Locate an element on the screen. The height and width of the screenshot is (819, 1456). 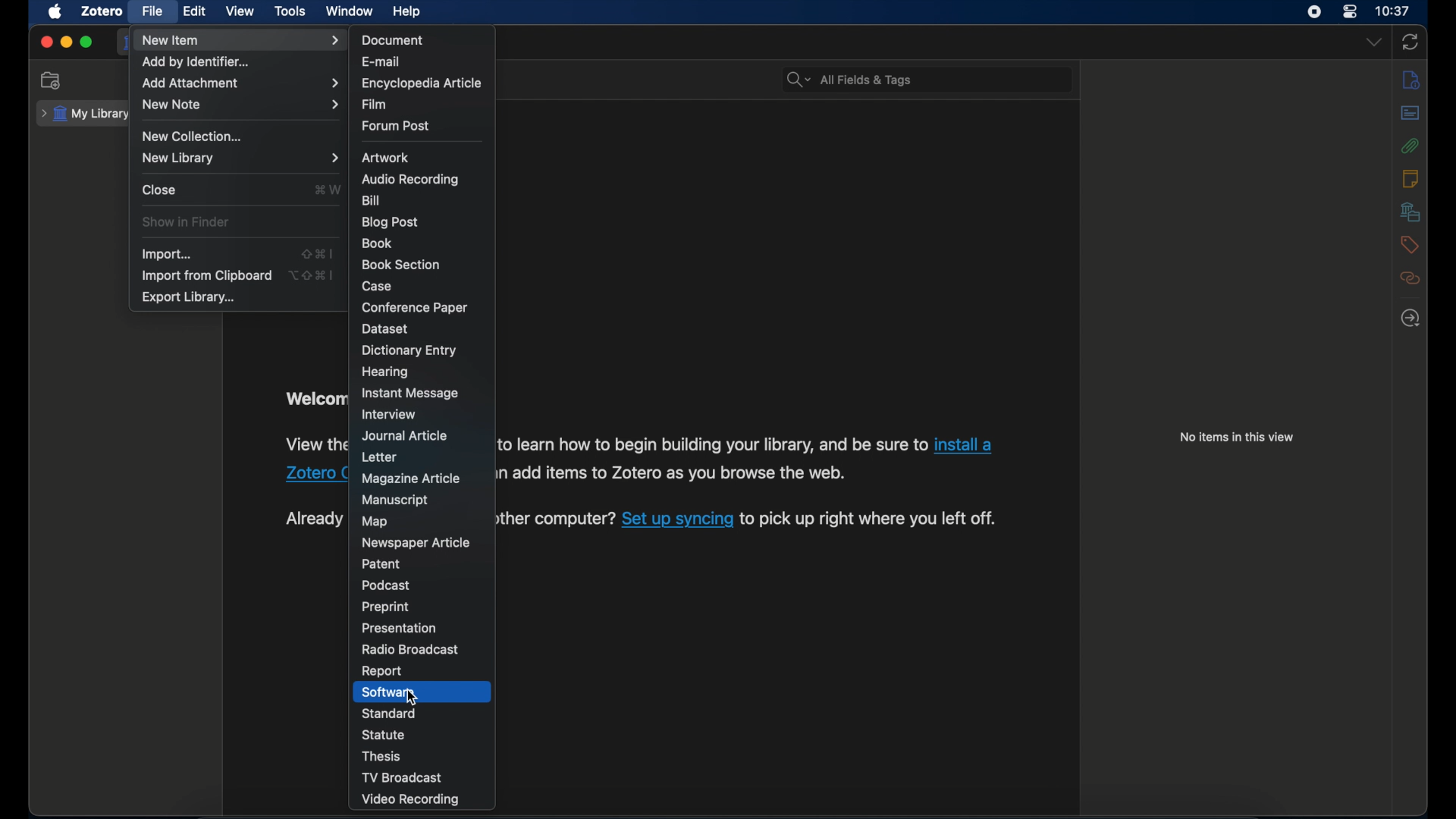
search bar input is located at coordinates (945, 78).